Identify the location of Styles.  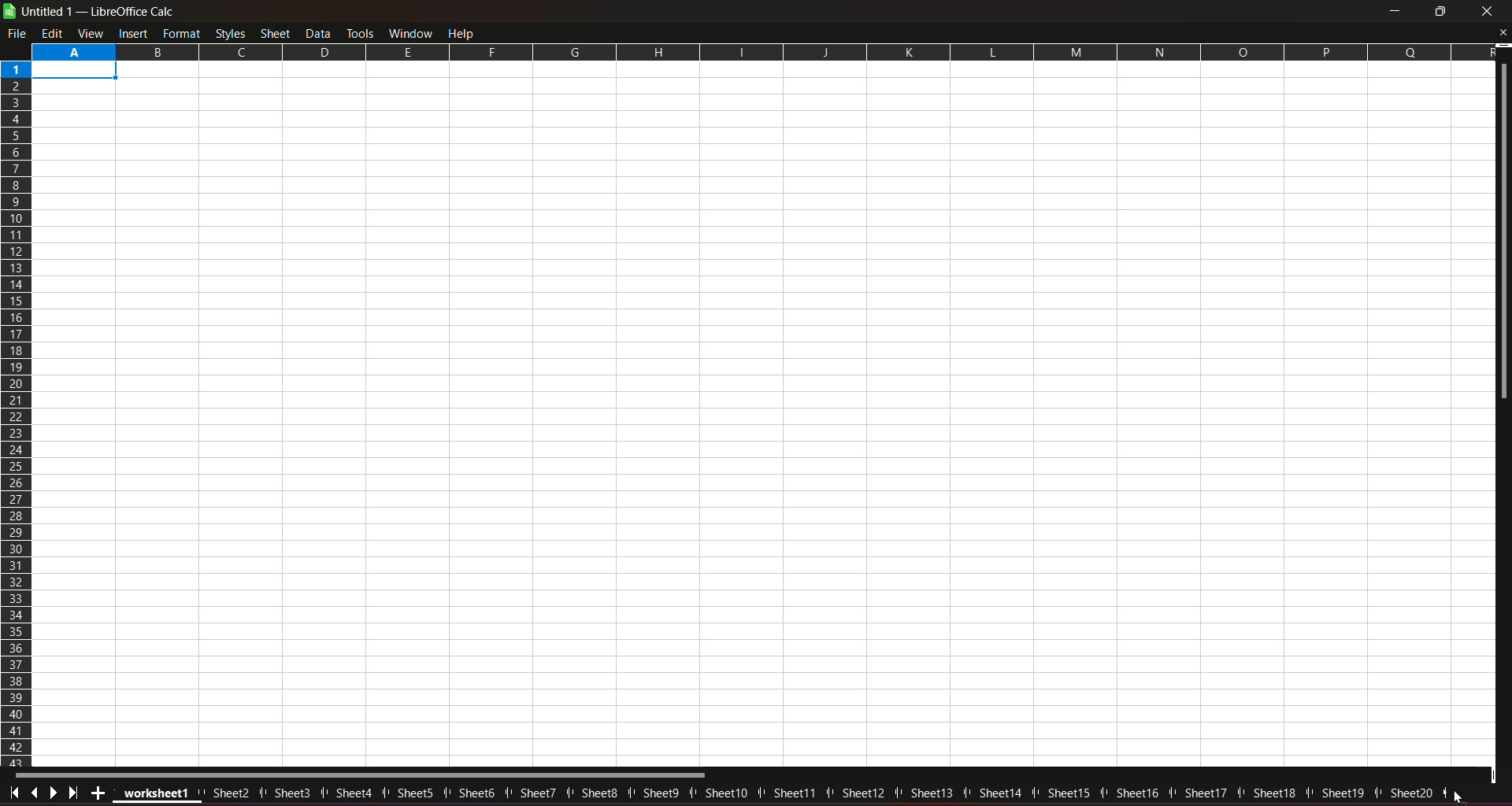
(230, 33).